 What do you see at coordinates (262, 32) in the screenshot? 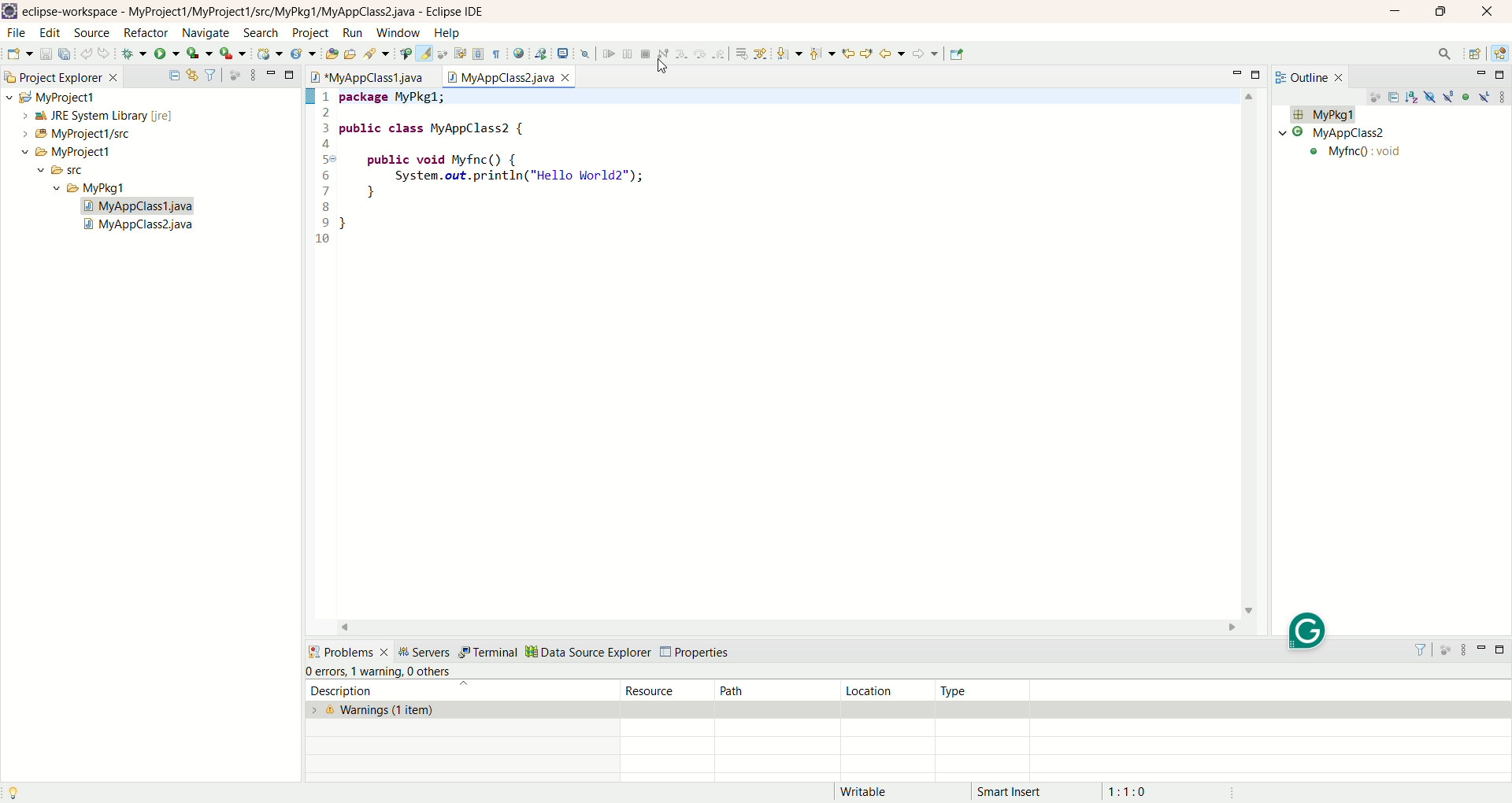
I see `search` at bounding box center [262, 32].